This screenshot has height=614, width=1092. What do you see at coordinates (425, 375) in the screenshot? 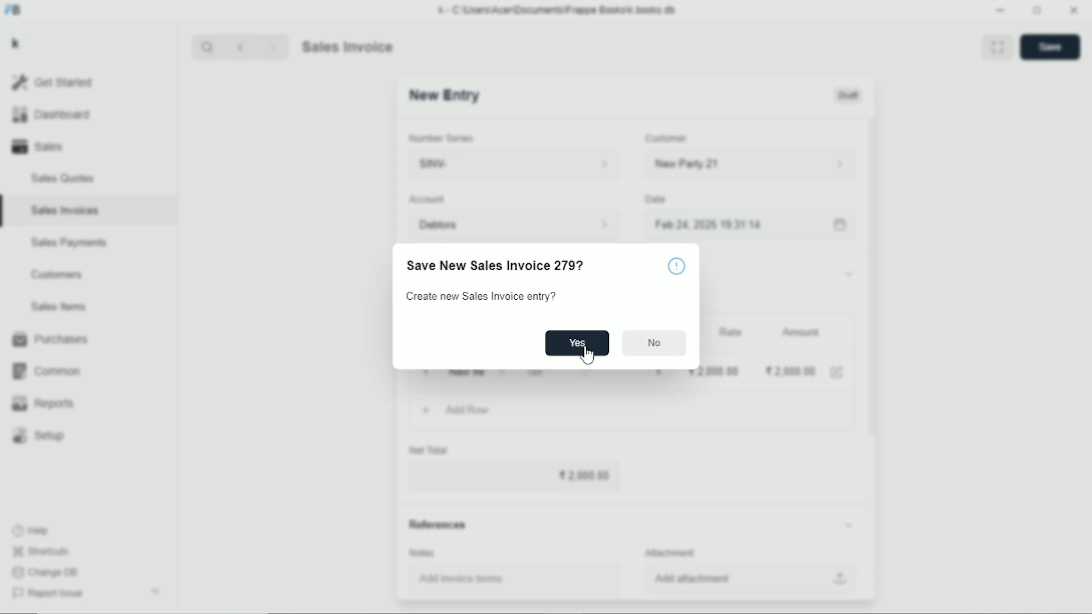
I see `1` at bounding box center [425, 375].